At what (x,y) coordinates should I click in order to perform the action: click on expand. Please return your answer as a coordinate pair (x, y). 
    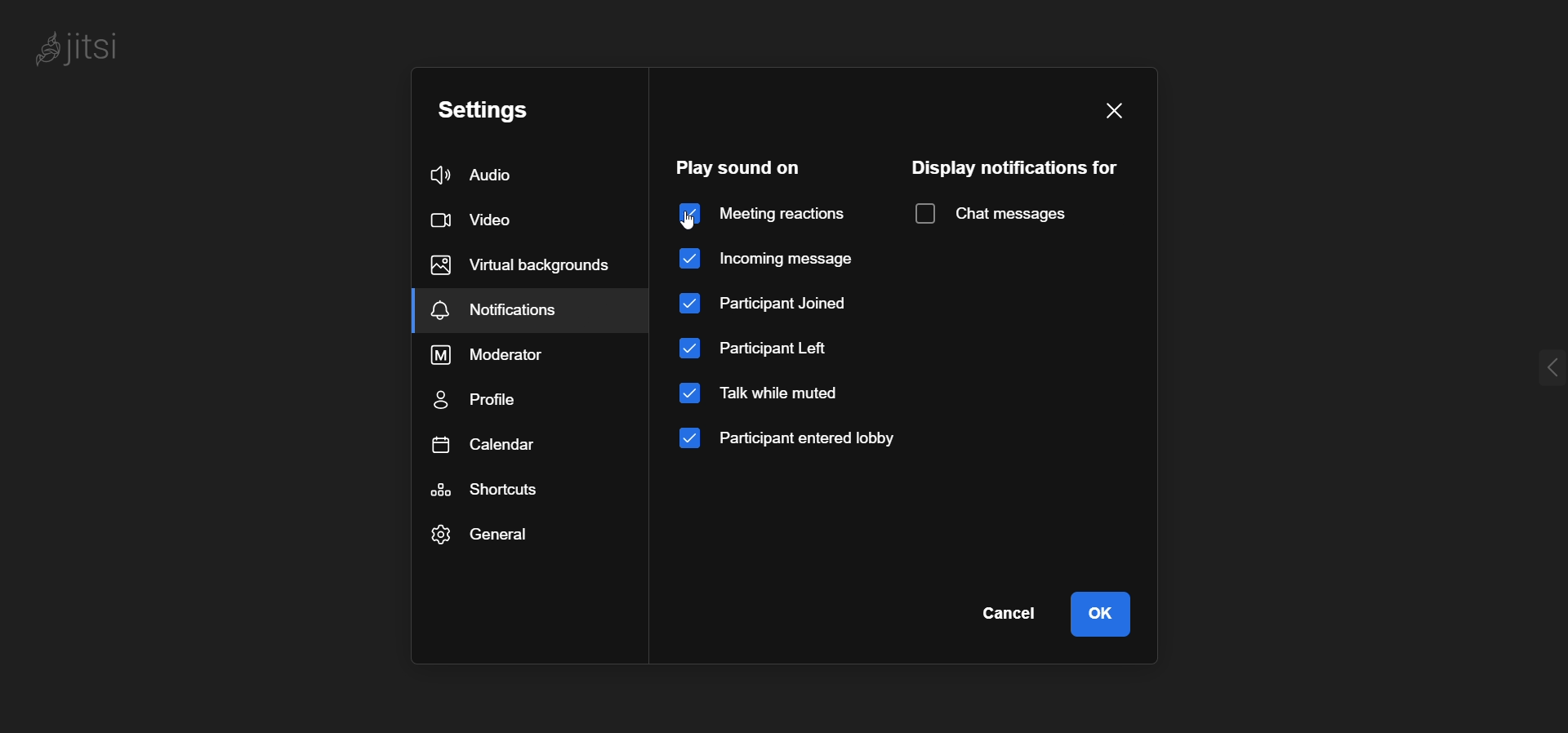
    Looking at the image, I should click on (1544, 371).